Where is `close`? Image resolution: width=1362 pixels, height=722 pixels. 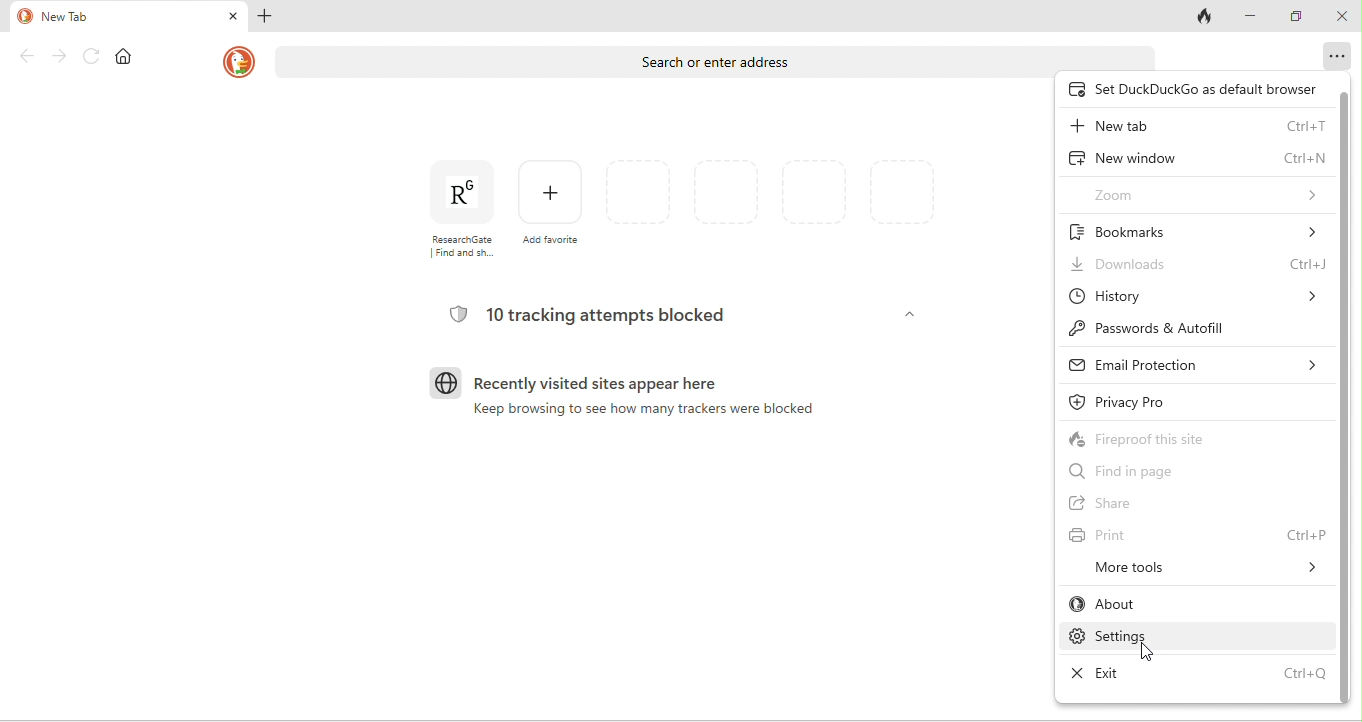 close is located at coordinates (231, 16).